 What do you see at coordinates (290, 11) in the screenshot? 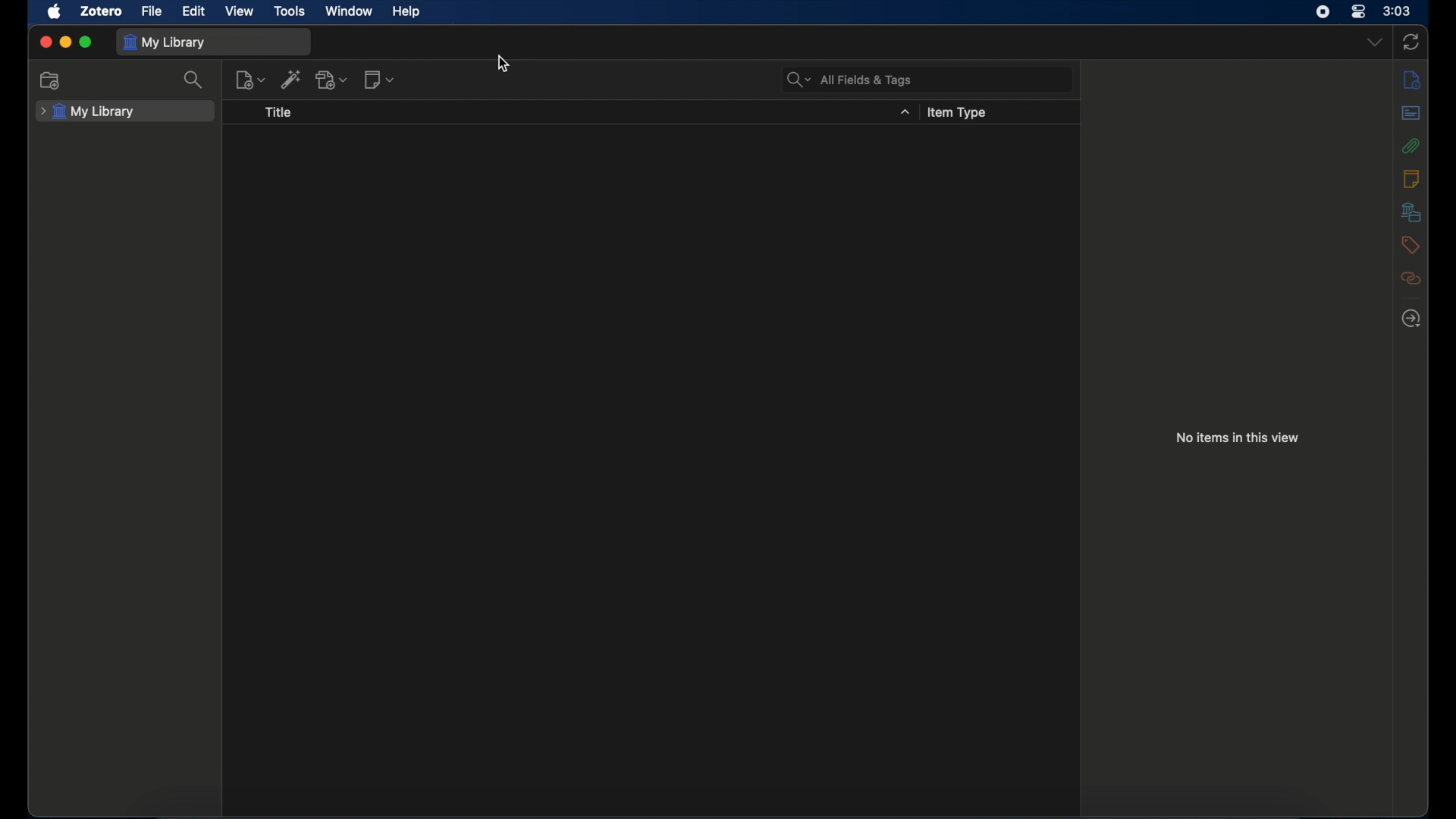
I see `tools` at bounding box center [290, 11].